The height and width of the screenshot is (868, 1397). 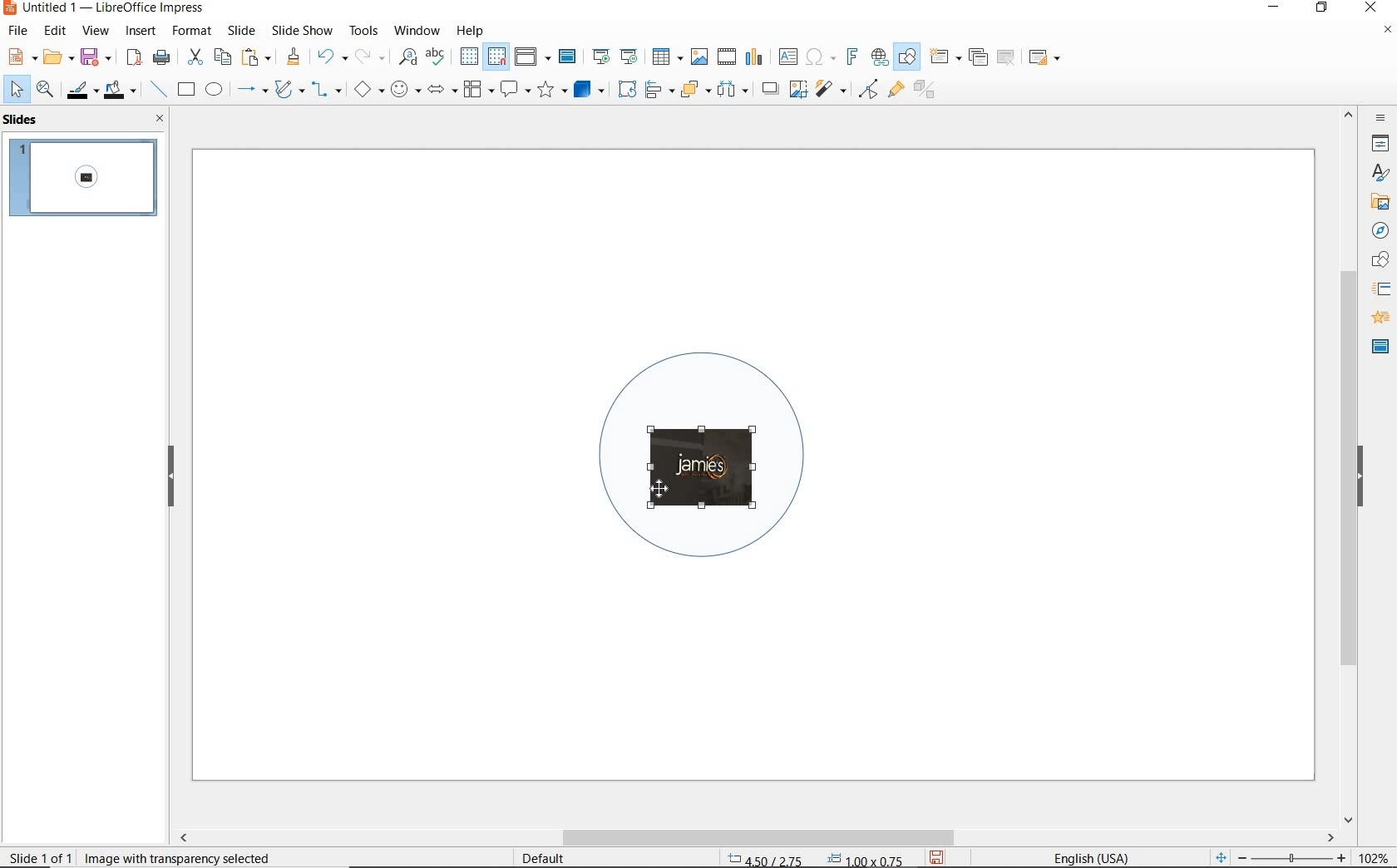 I want to click on close, so click(x=1370, y=8).